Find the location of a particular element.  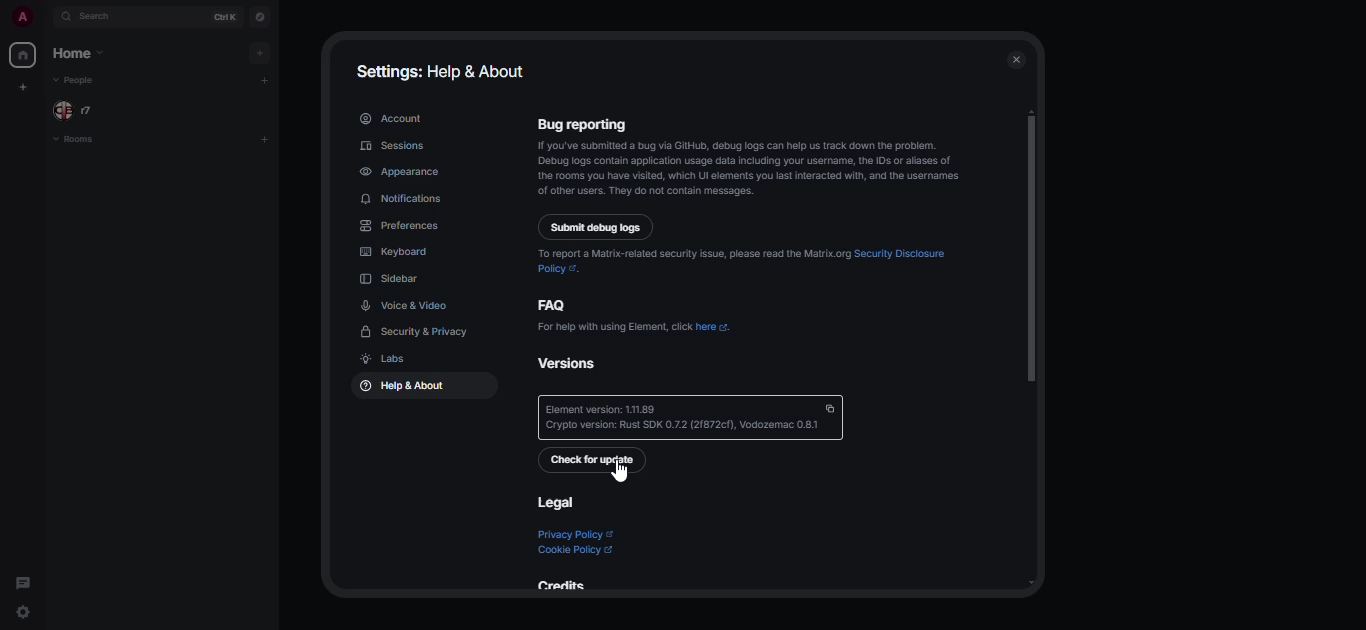

help & about is located at coordinates (399, 387).